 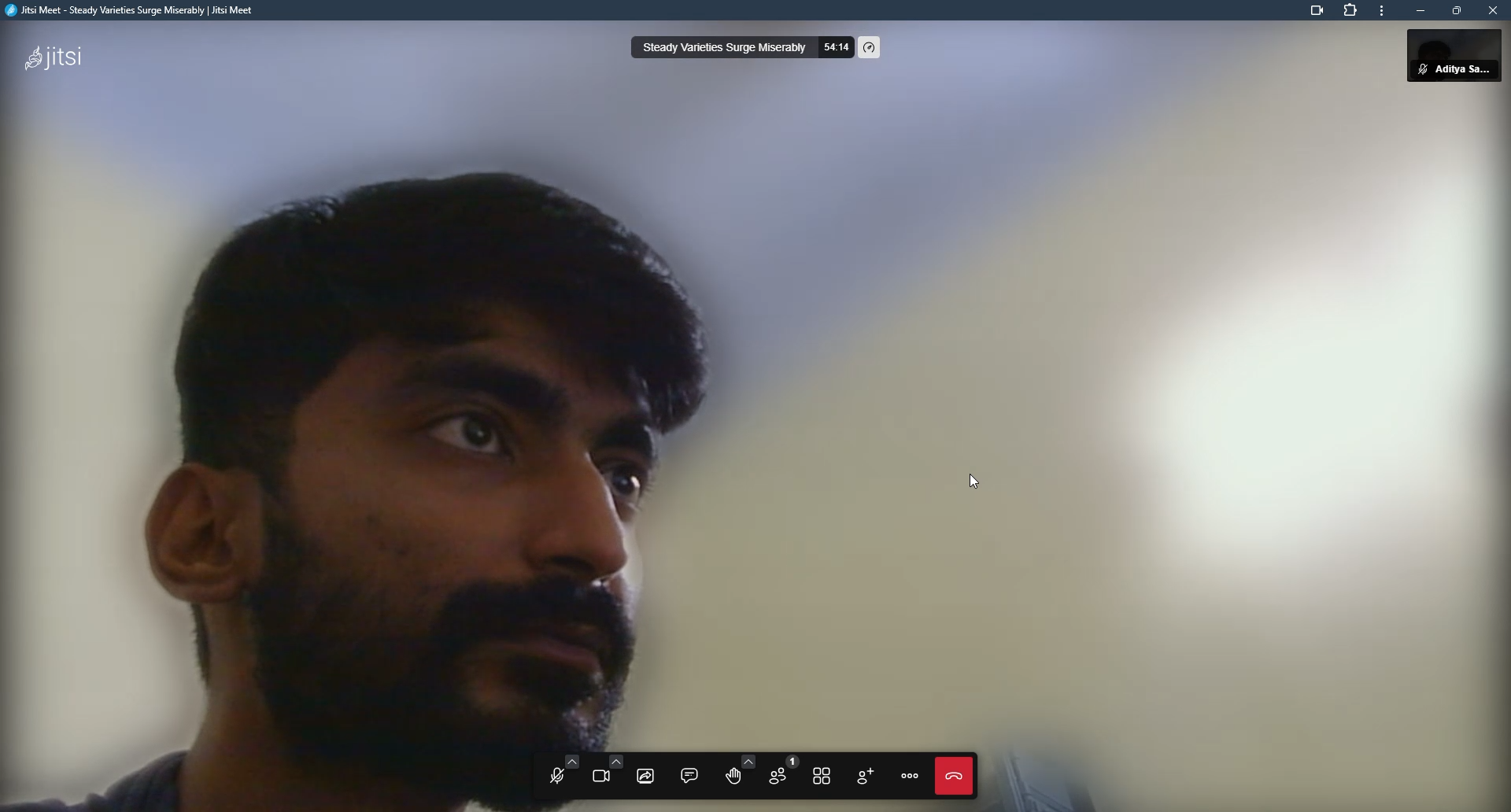 I want to click on participants, so click(x=779, y=773).